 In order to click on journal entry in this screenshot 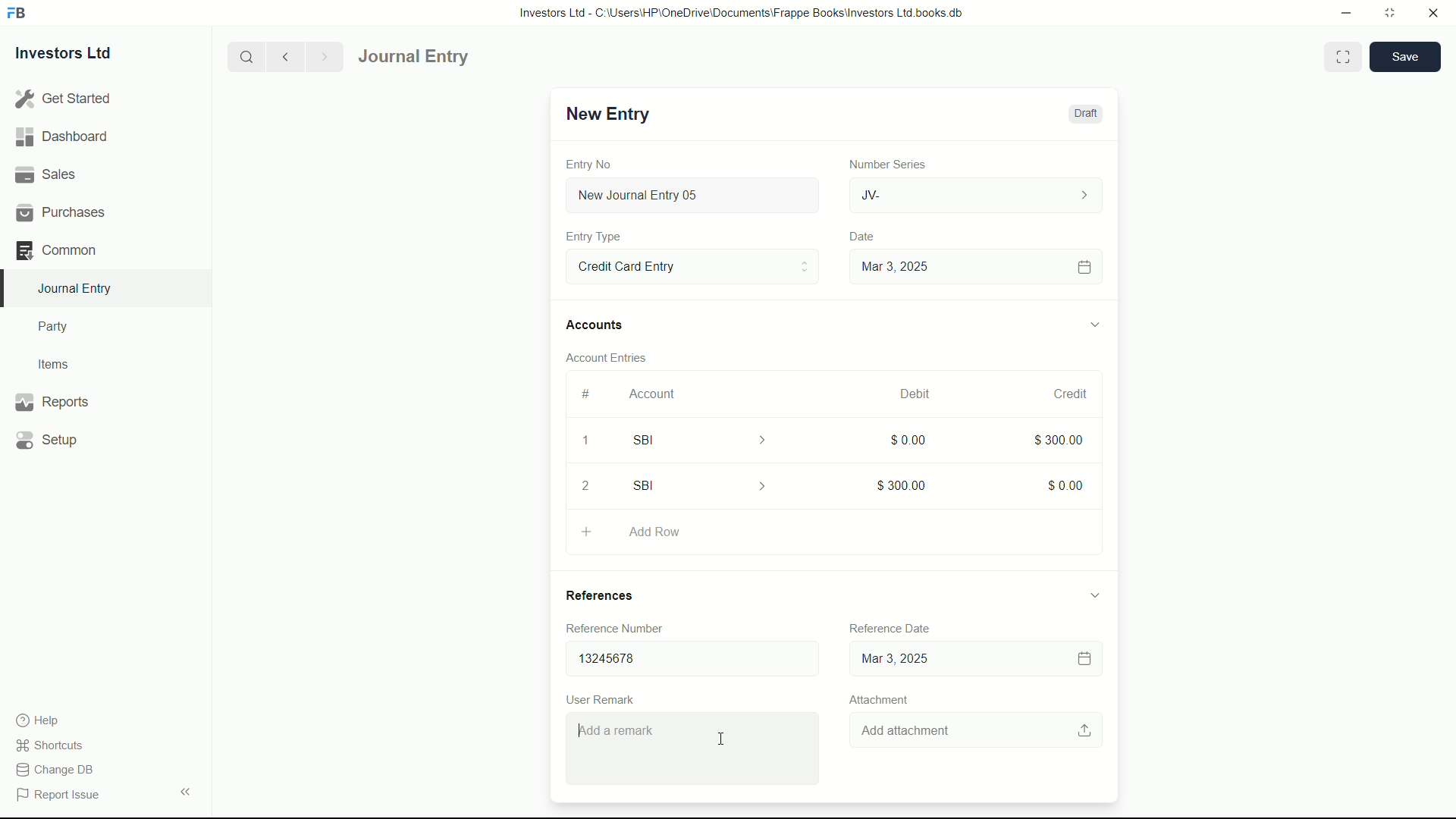, I will do `click(457, 57)`.